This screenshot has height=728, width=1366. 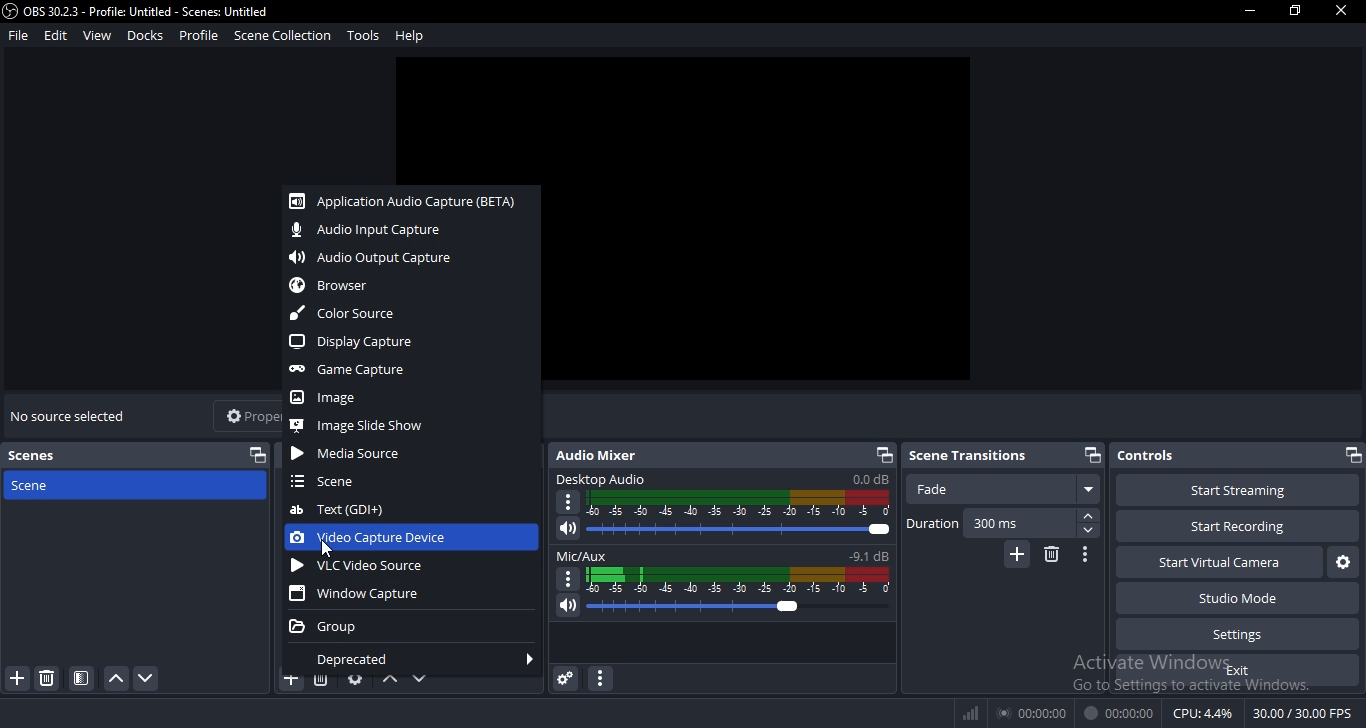 What do you see at coordinates (350, 457) in the screenshot?
I see `media source` at bounding box center [350, 457].